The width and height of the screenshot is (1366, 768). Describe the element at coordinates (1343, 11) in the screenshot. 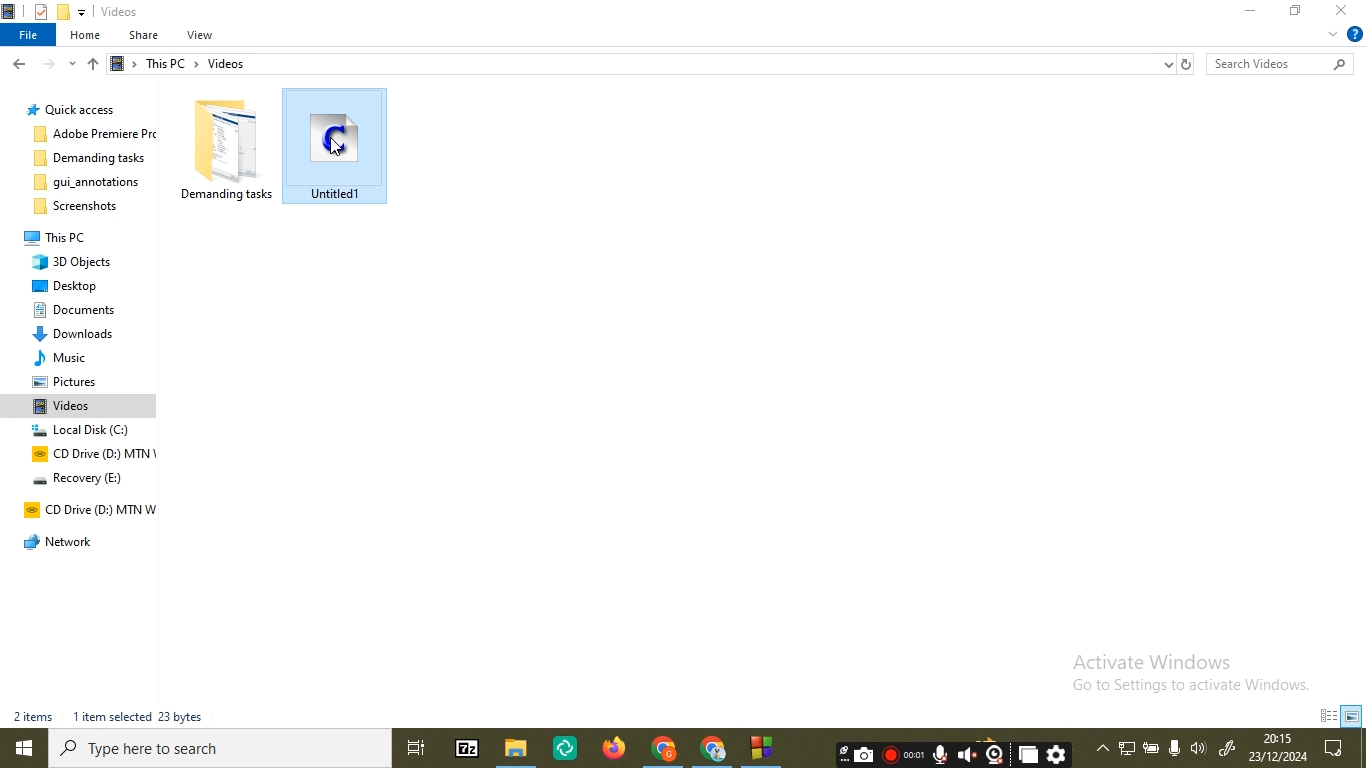

I see `close` at that location.